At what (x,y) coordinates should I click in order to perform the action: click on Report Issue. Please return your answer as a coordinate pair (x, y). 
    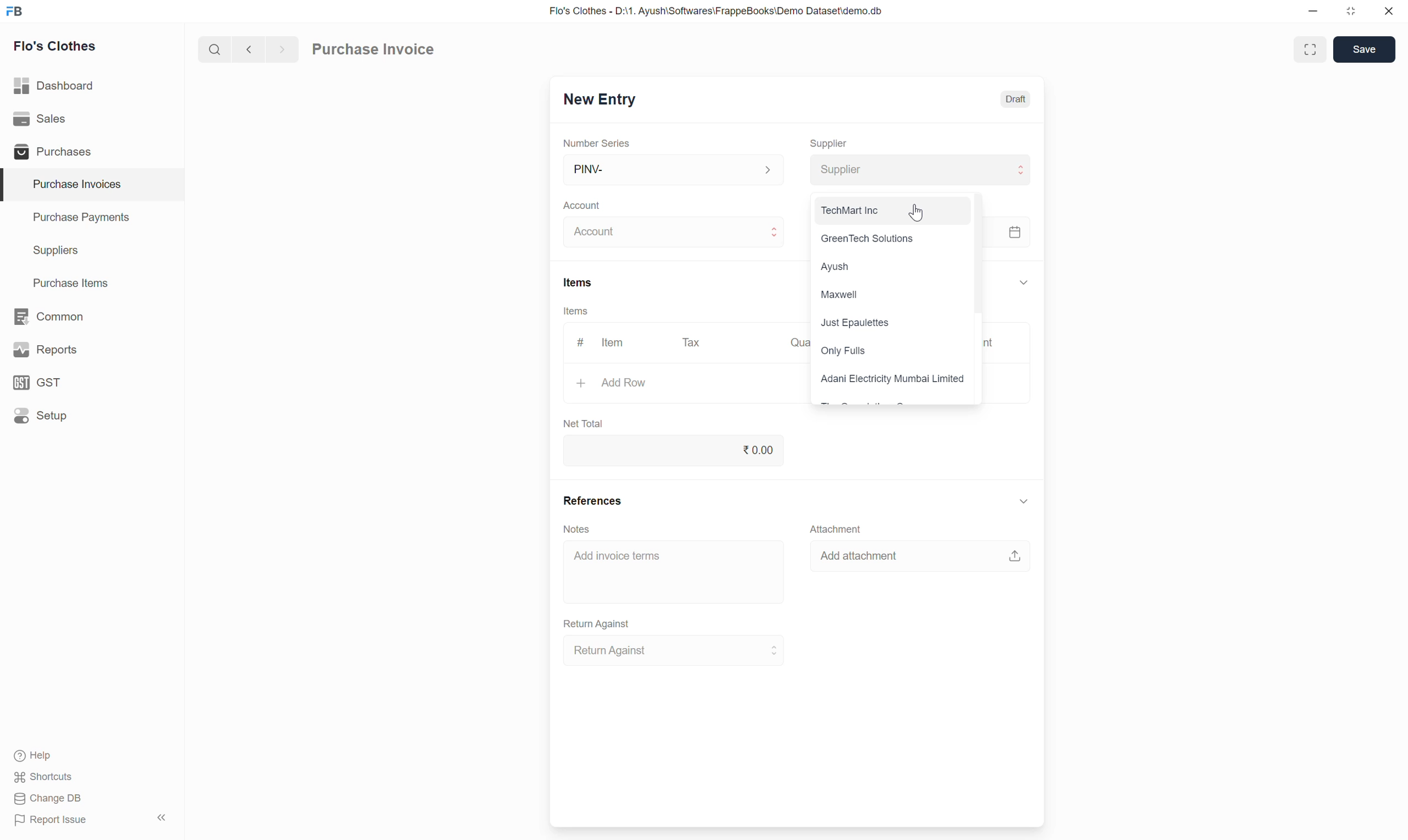
    Looking at the image, I should click on (52, 820).